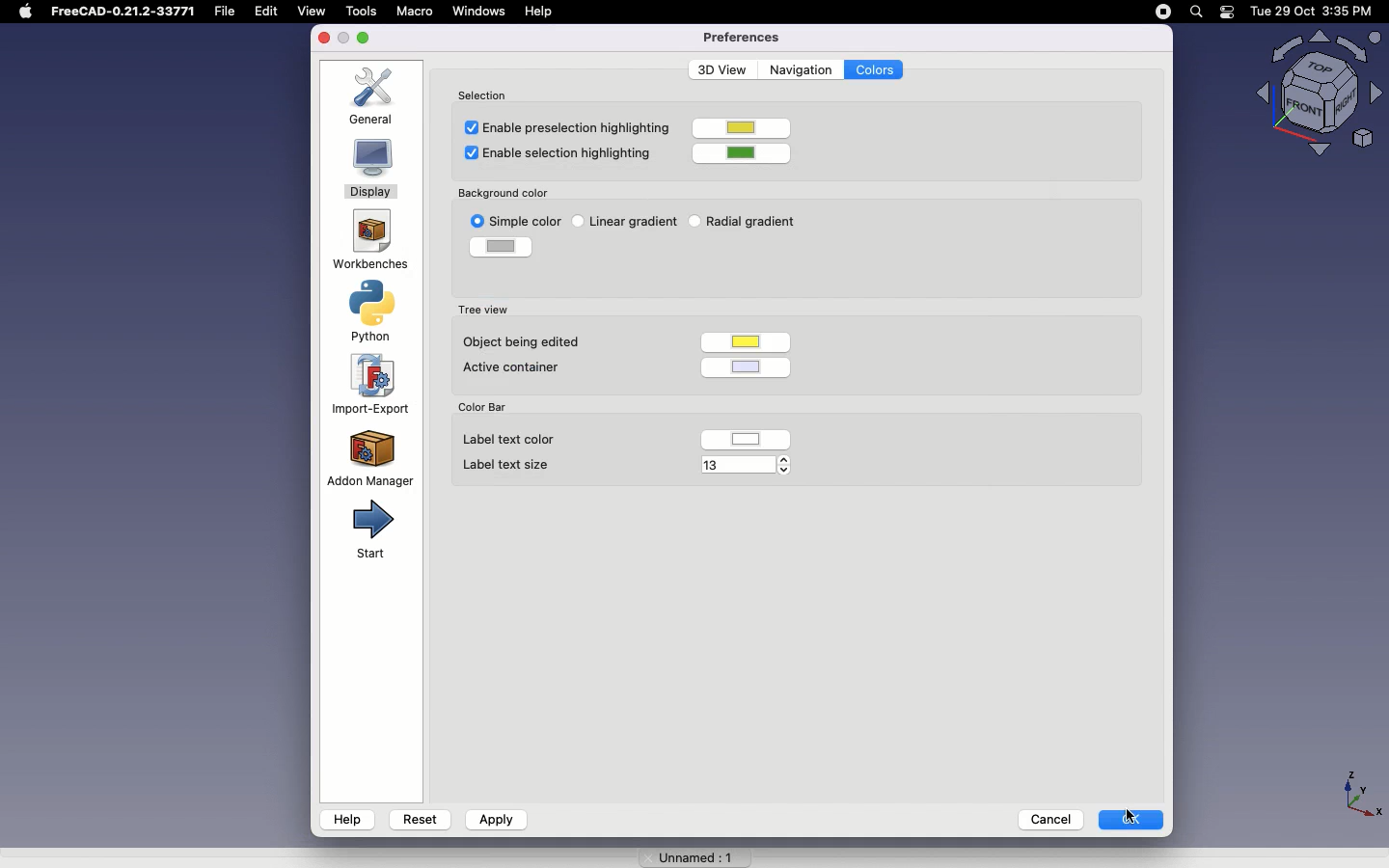  What do you see at coordinates (734, 464) in the screenshot?
I see `13` at bounding box center [734, 464].